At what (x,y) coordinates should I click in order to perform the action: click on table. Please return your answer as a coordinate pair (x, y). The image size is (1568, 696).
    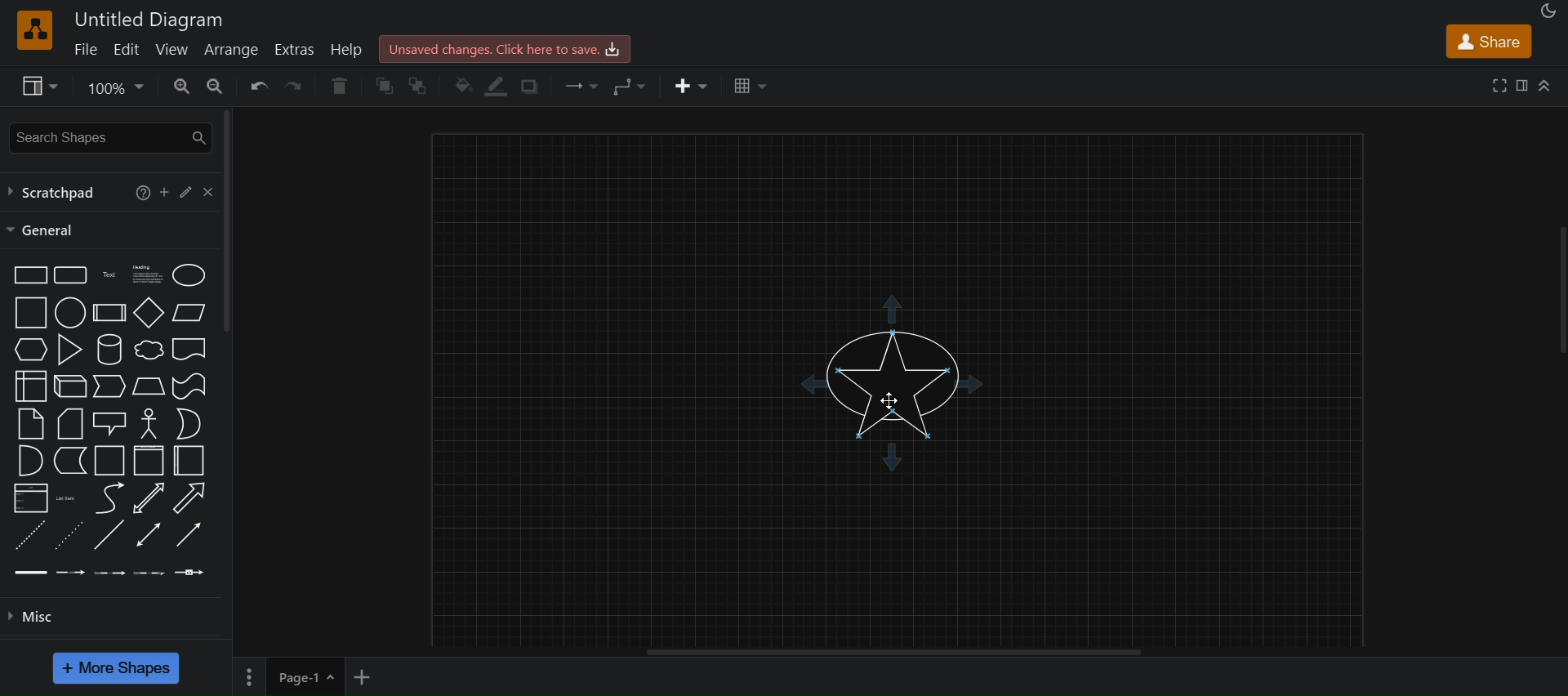
    Looking at the image, I should click on (751, 86).